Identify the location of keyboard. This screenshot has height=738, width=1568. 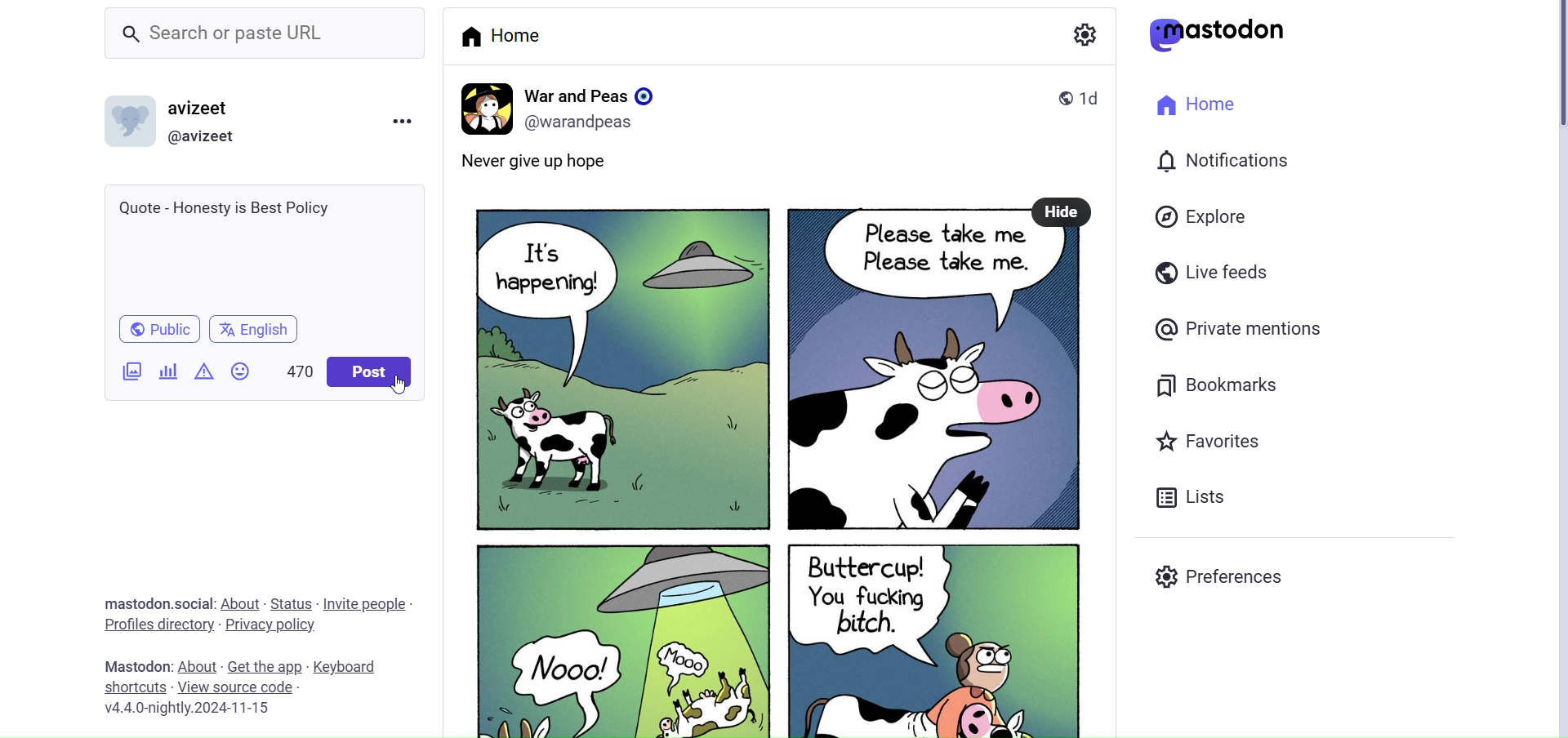
(351, 667).